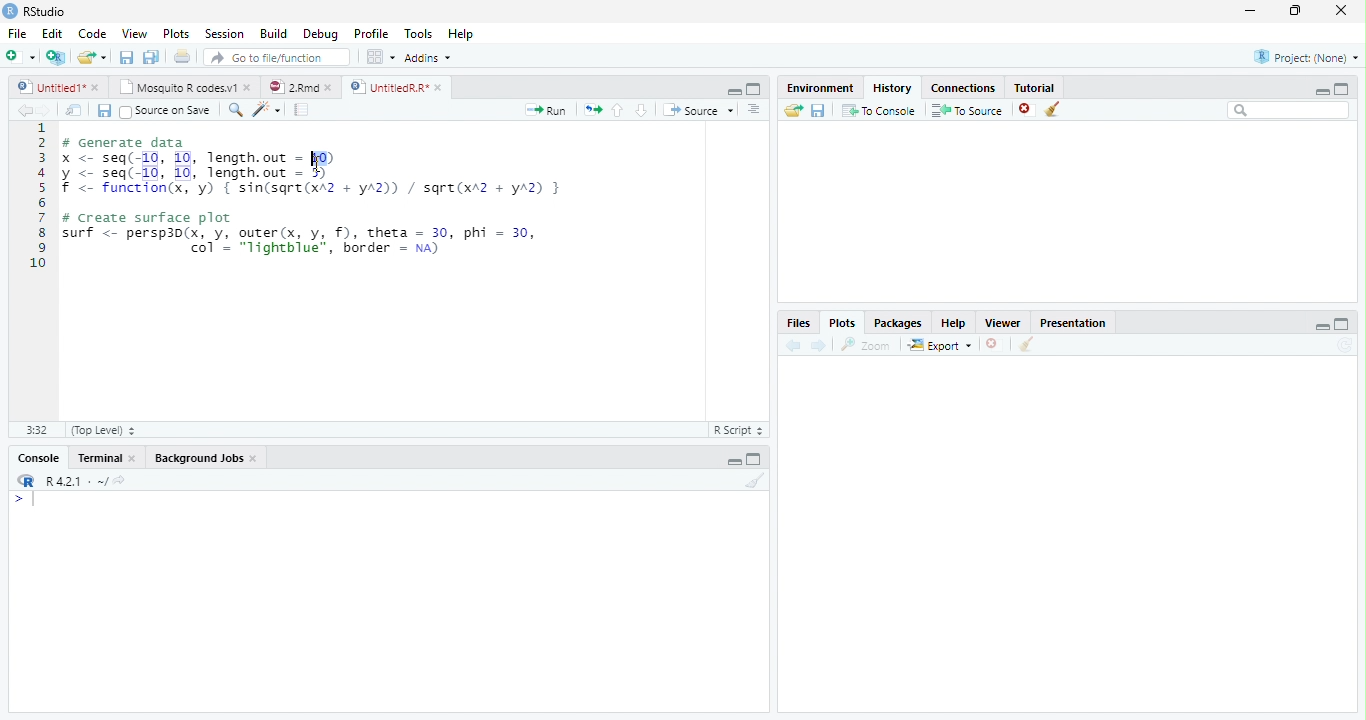 This screenshot has height=720, width=1366. Describe the element at coordinates (843, 322) in the screenshot. I see `Plots` at that location.